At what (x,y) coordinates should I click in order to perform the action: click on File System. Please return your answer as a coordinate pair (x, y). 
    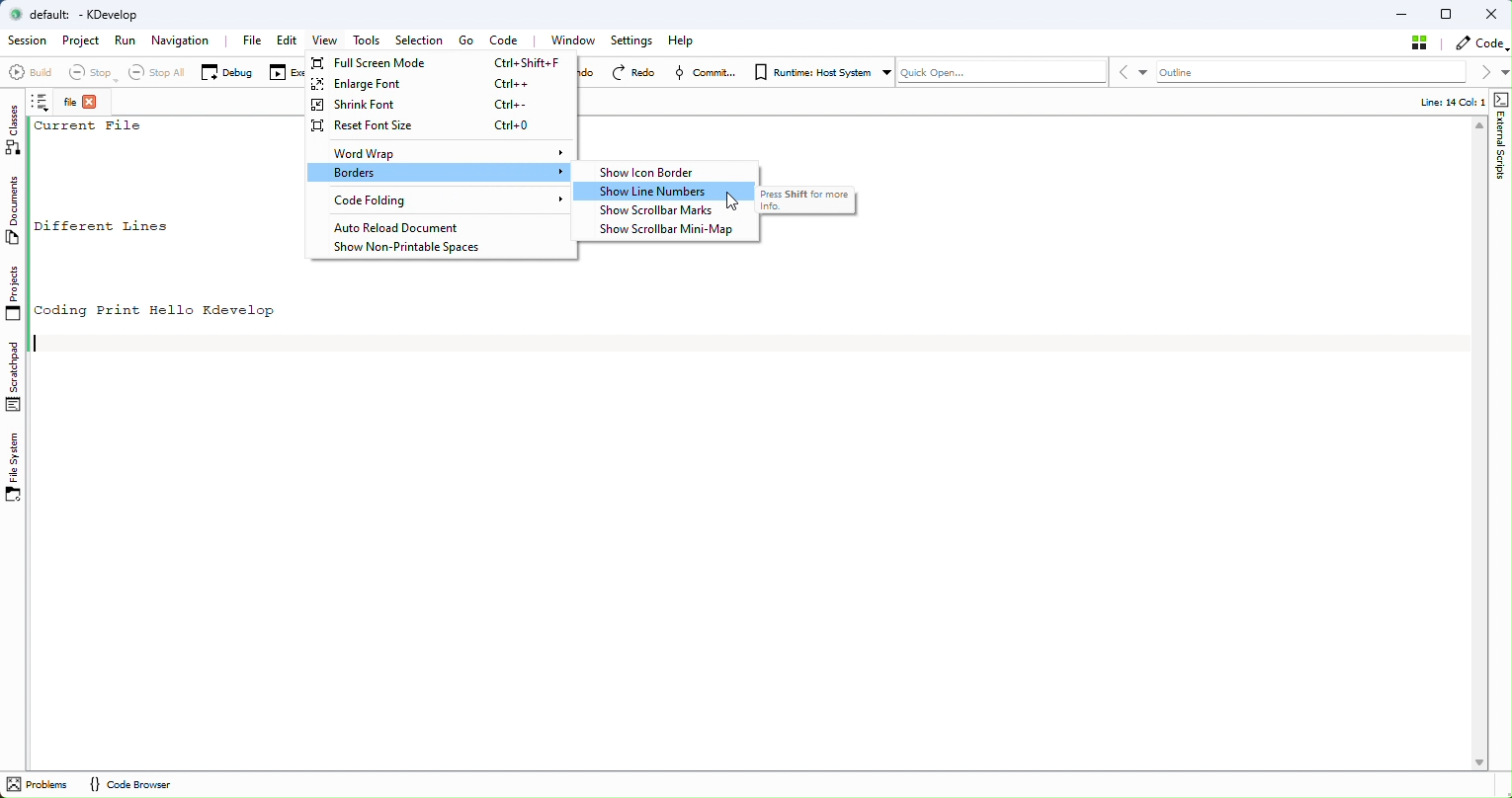
    Looking at the image, I should click on (17, 468).